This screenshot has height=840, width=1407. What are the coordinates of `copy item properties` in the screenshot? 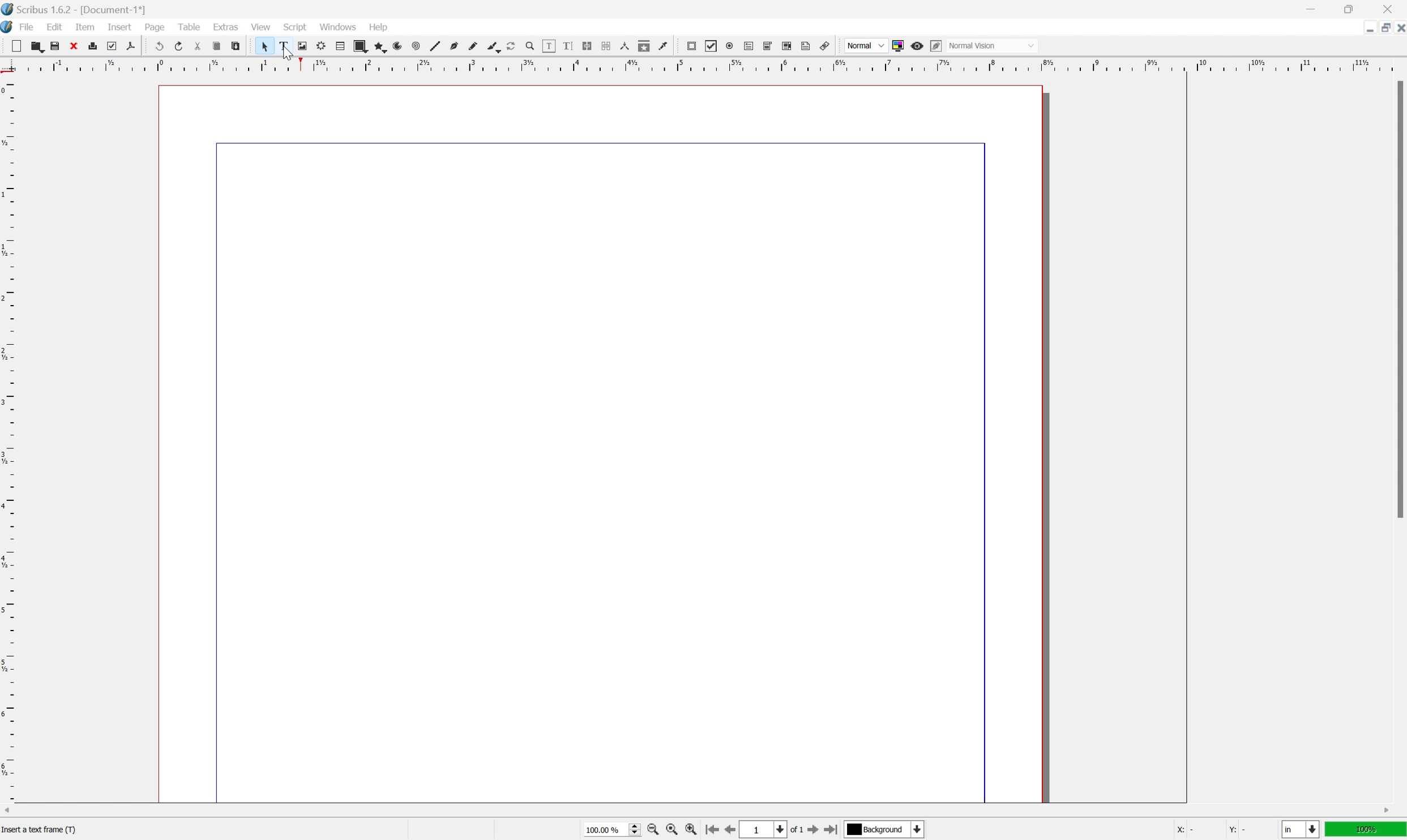 It's located at (643, 46).